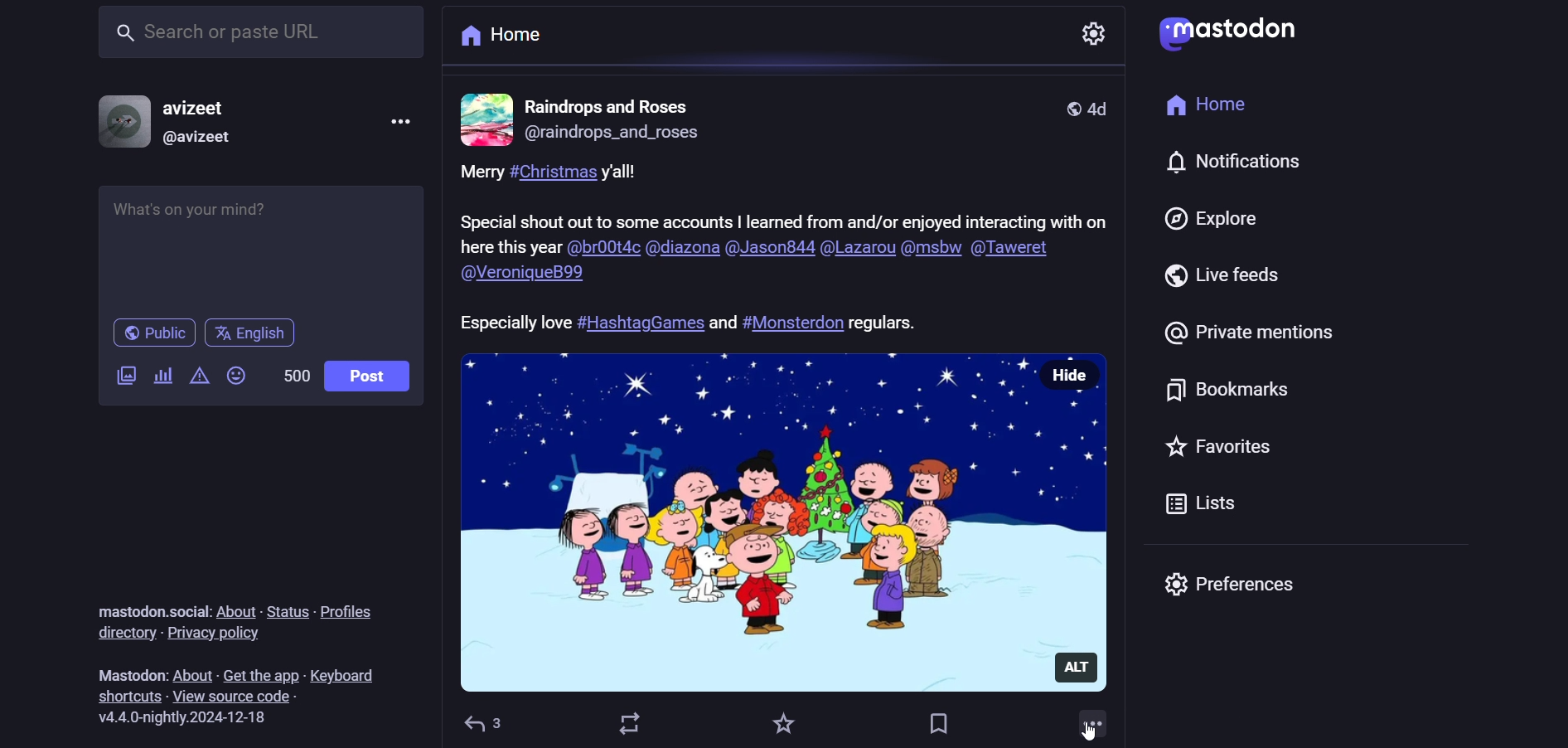 Image resolution: width=1568 pixels, height=748 pixels. What do you see at coordinates (200, 102) in the screenshot?
I see `username` at bounding box center [200, 102].